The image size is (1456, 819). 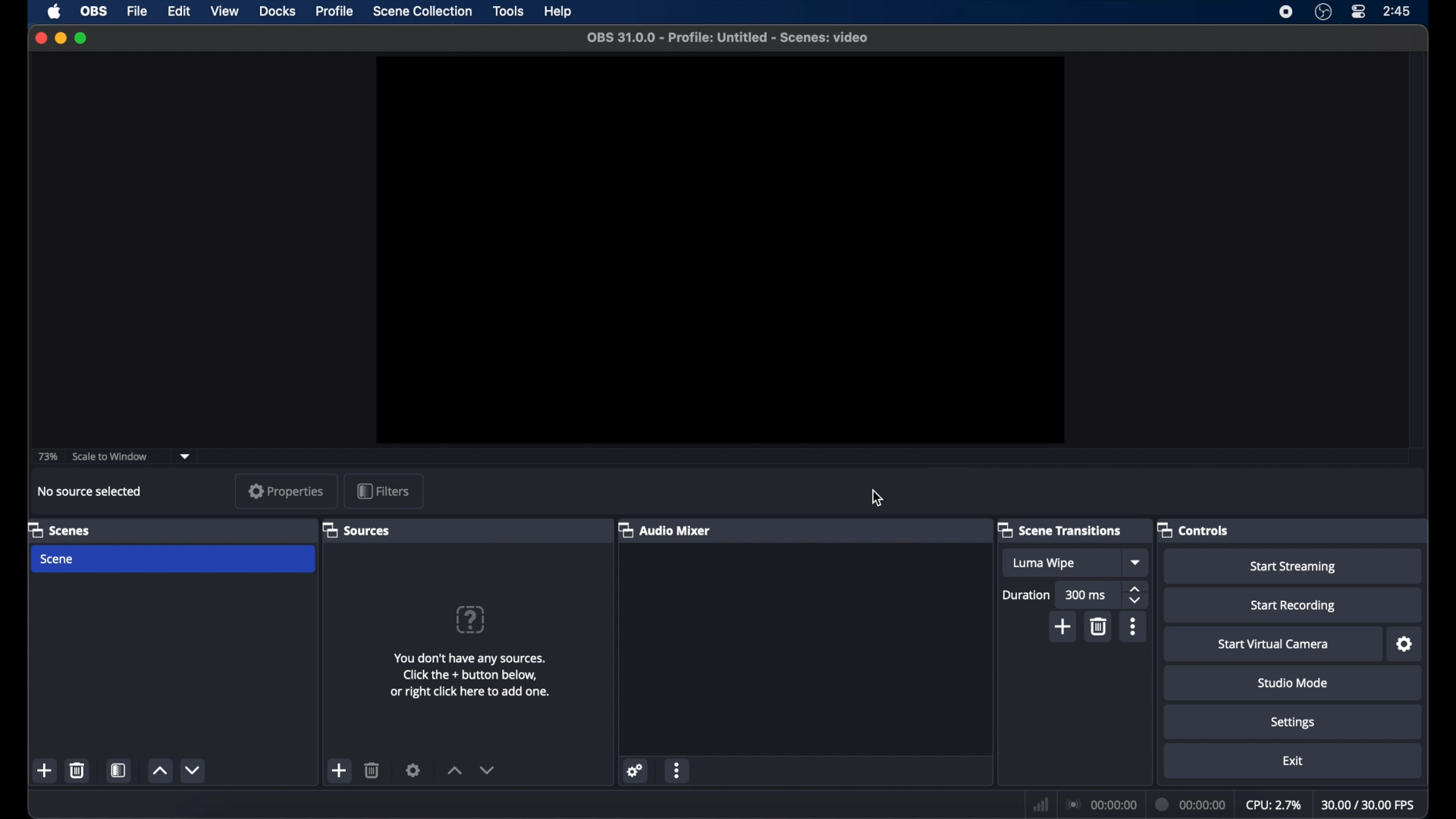 What do you see at coordinates (1063, 626) in the screenshot?
I see `add` at bounding box center [1063, 626].